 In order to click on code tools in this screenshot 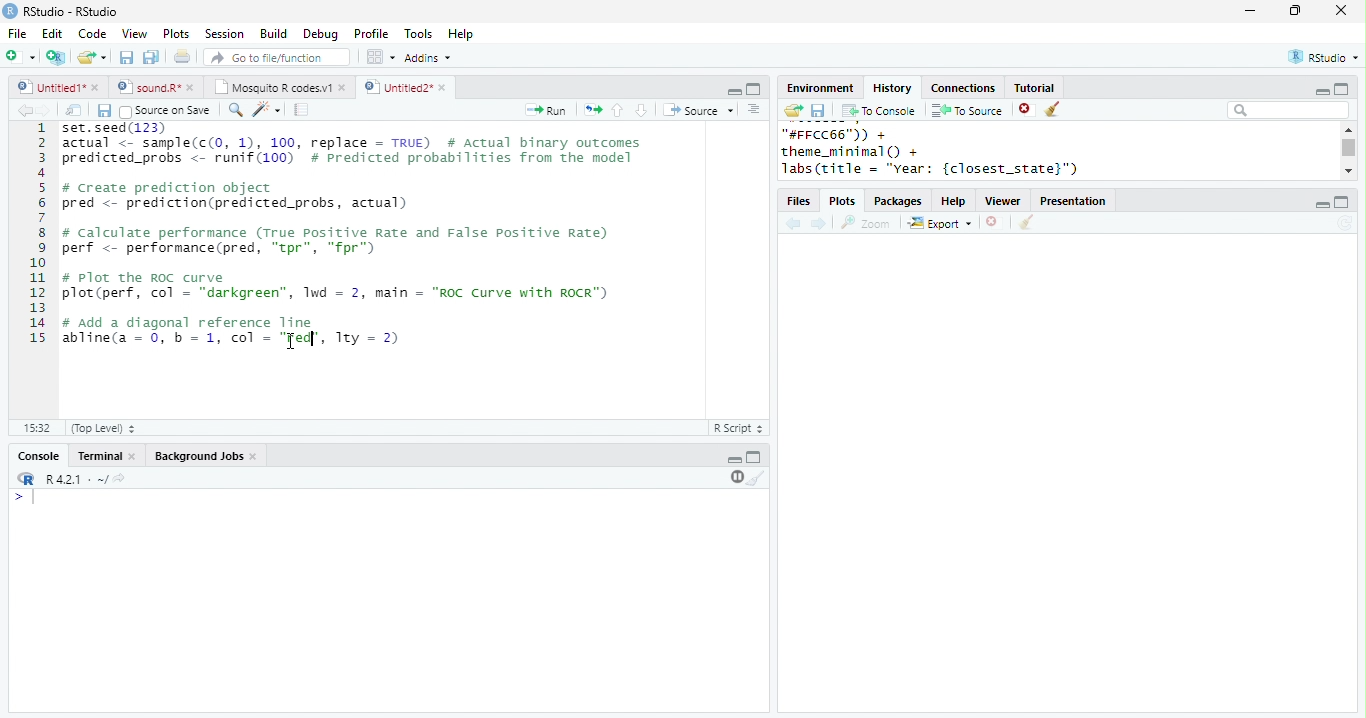, I will do `click(267, 109)`.